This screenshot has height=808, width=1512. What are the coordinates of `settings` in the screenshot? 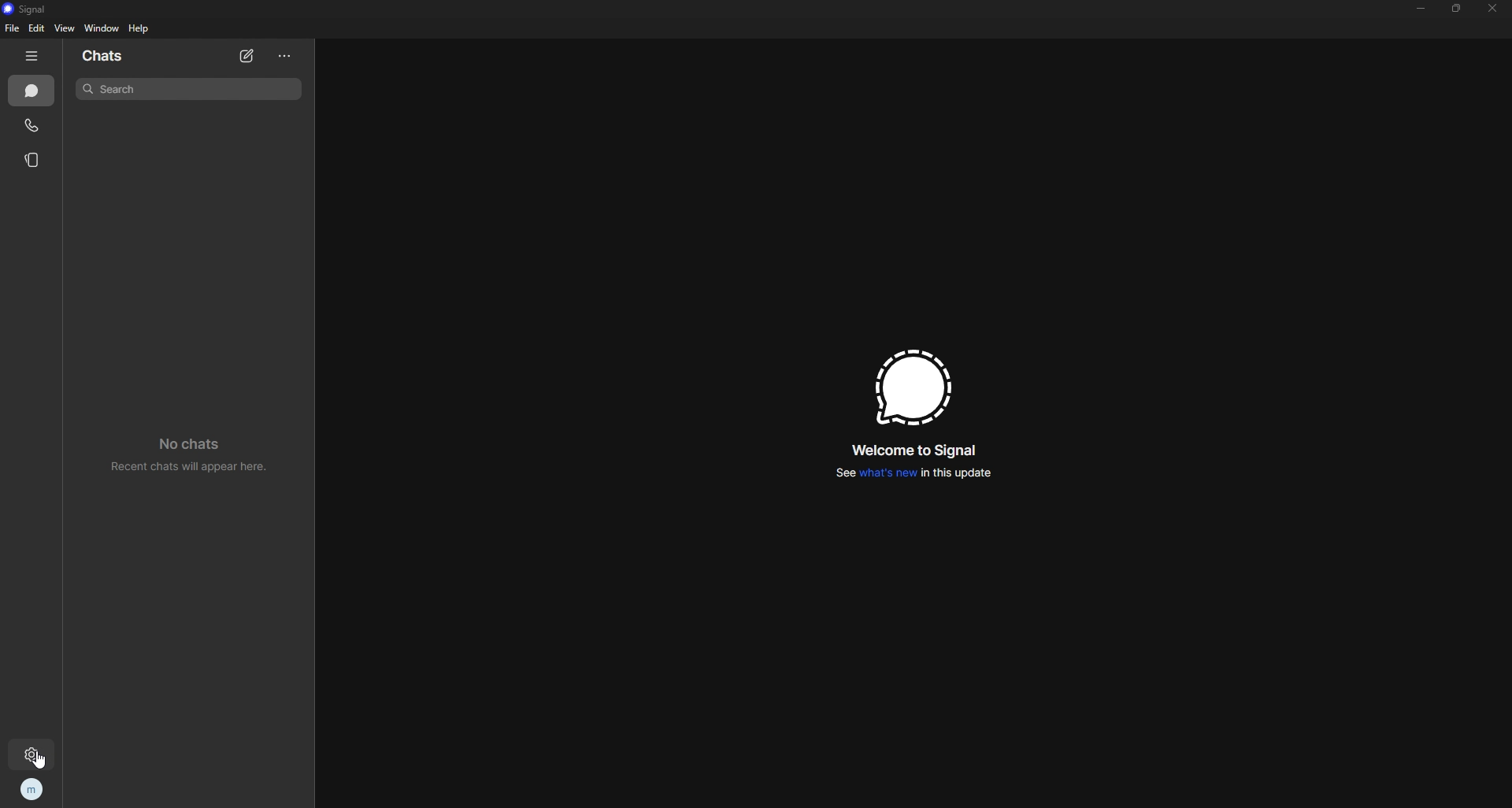 It's located at (35, 755).